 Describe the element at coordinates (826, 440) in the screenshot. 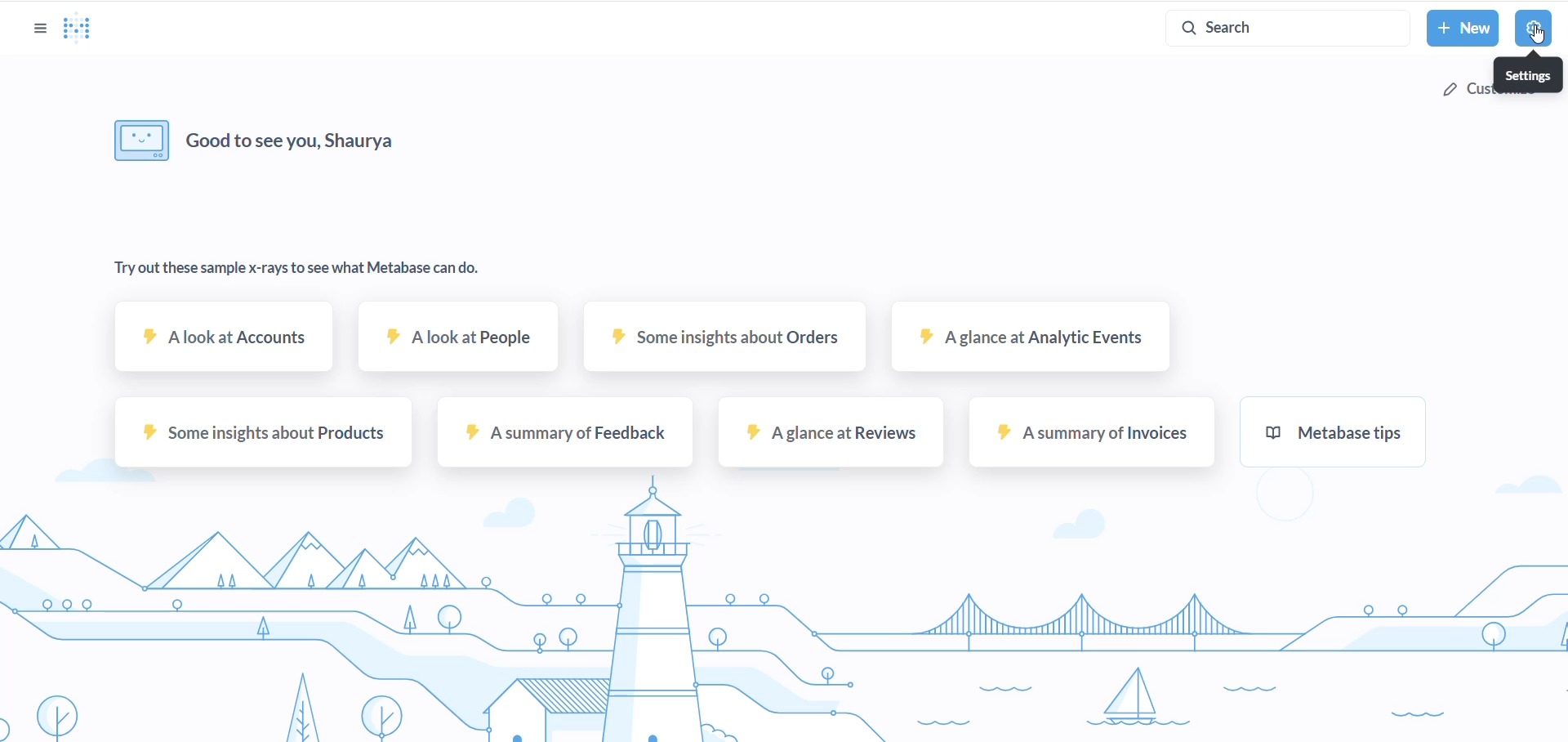

I see `A glance at Reviews sample` at that location.